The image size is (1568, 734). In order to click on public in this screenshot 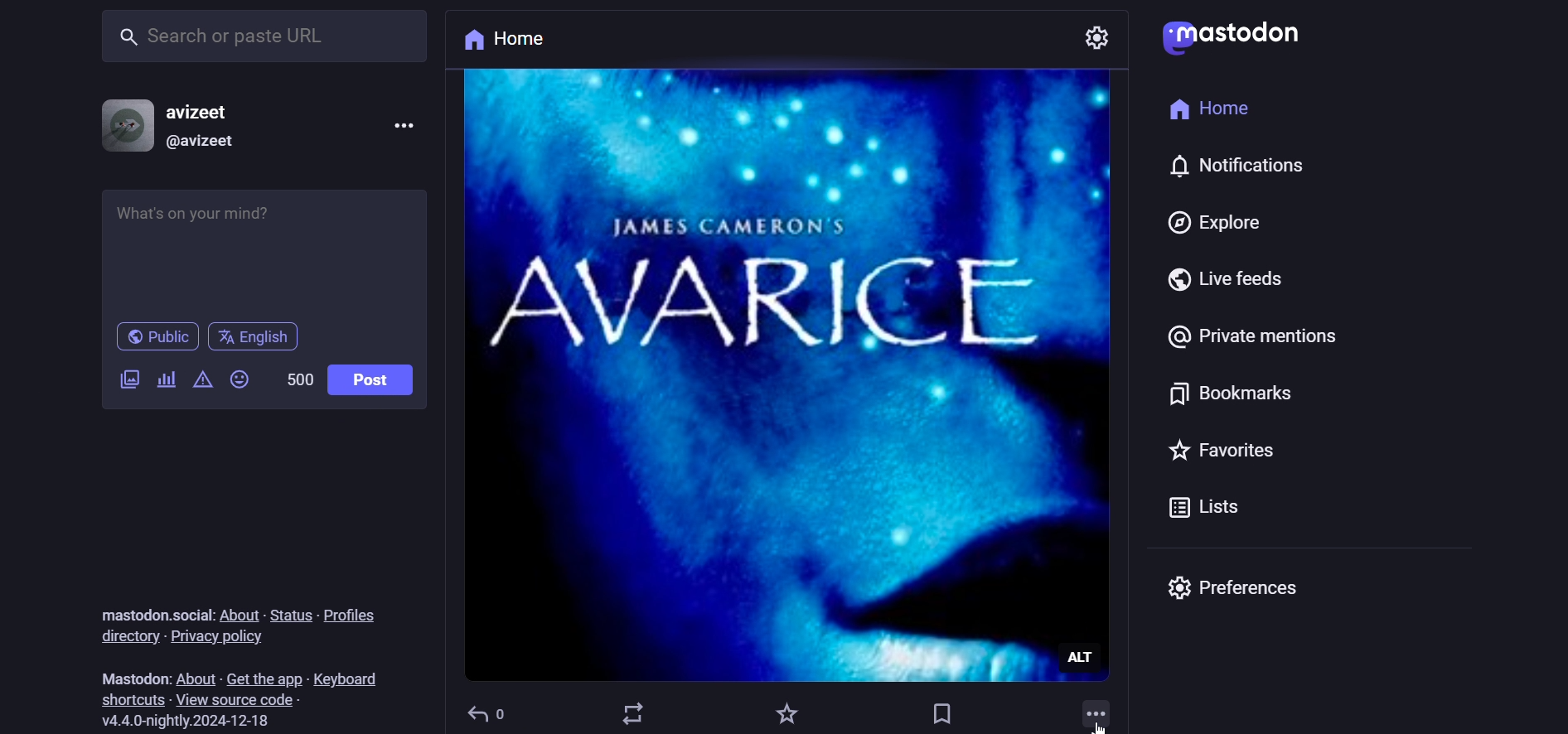, I will do `click(157, 338)`.